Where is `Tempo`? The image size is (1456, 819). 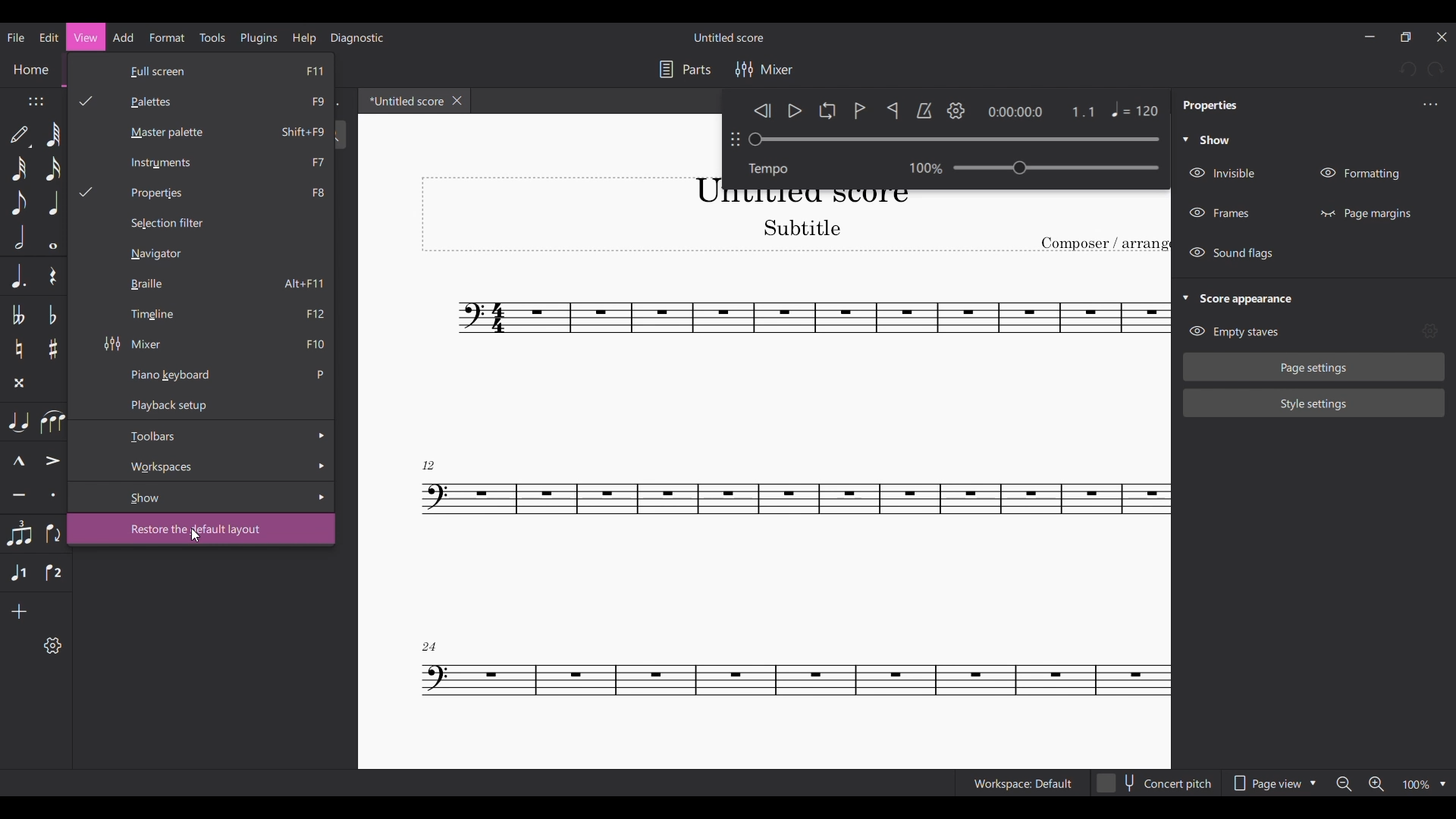
Tempo is located at coordinates (774, 168).